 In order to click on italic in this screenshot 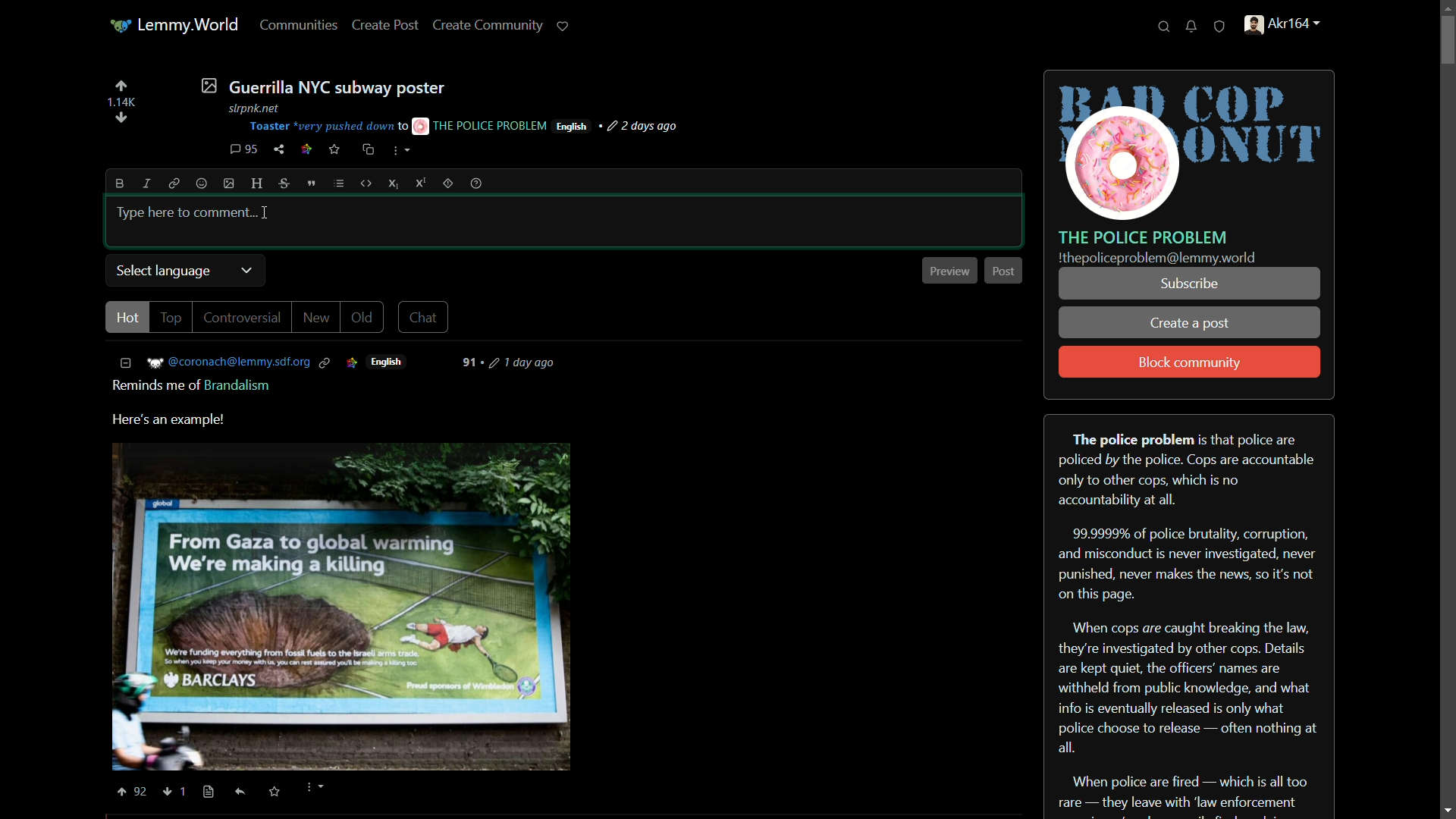, I will do `click(145, 183)`.